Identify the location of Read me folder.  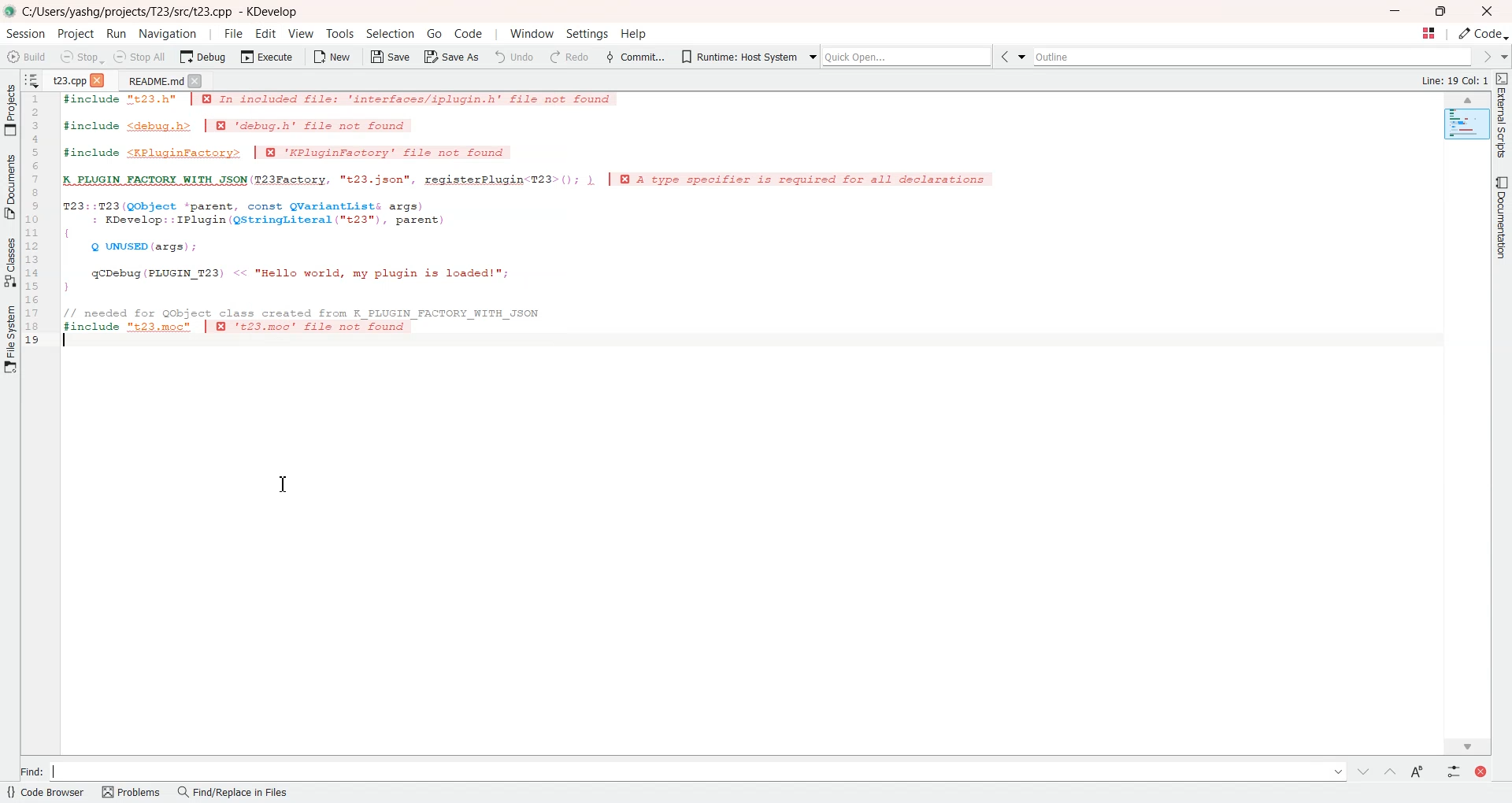
(152, 80).